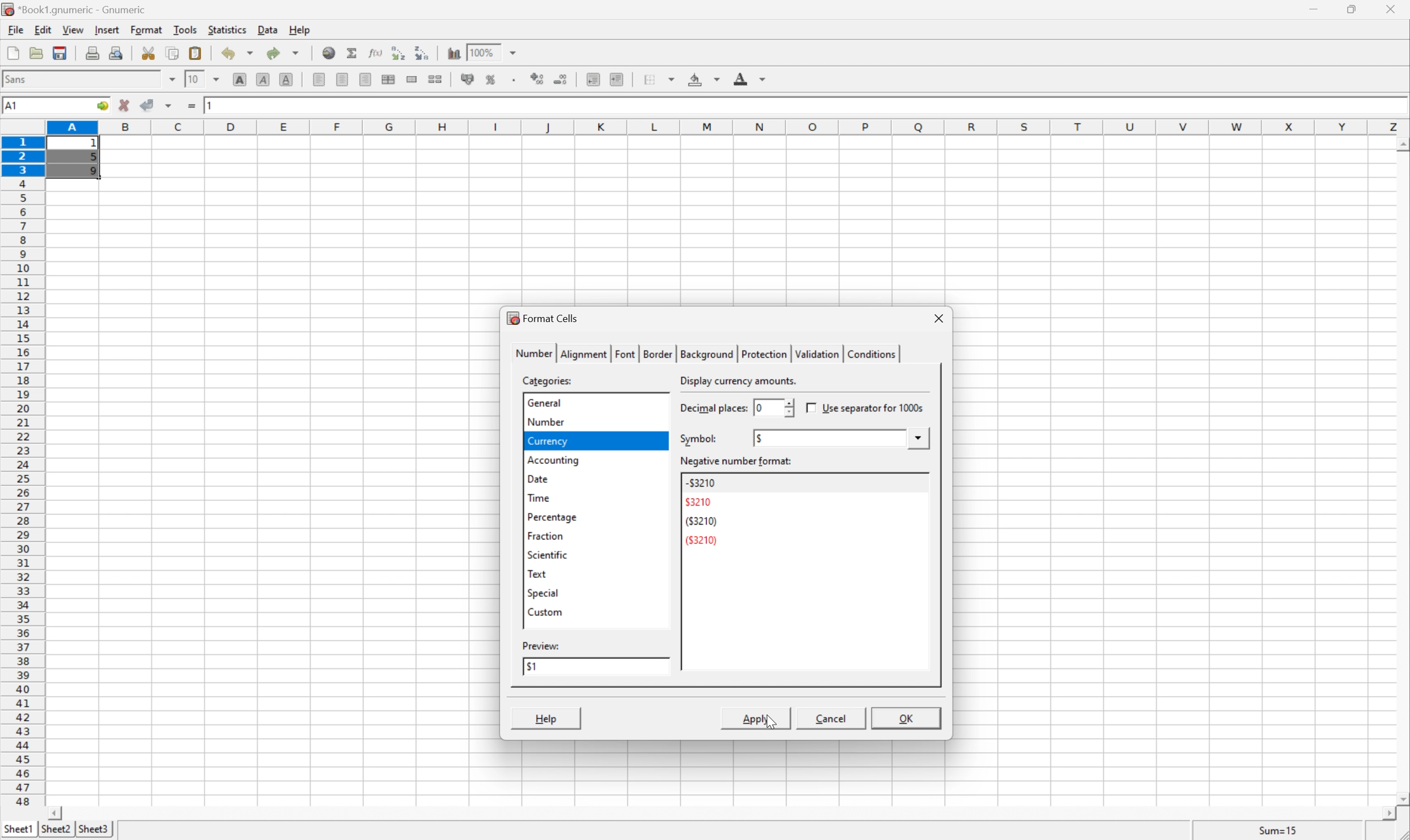  I want to click on sum in current cell, so click(354, 53).